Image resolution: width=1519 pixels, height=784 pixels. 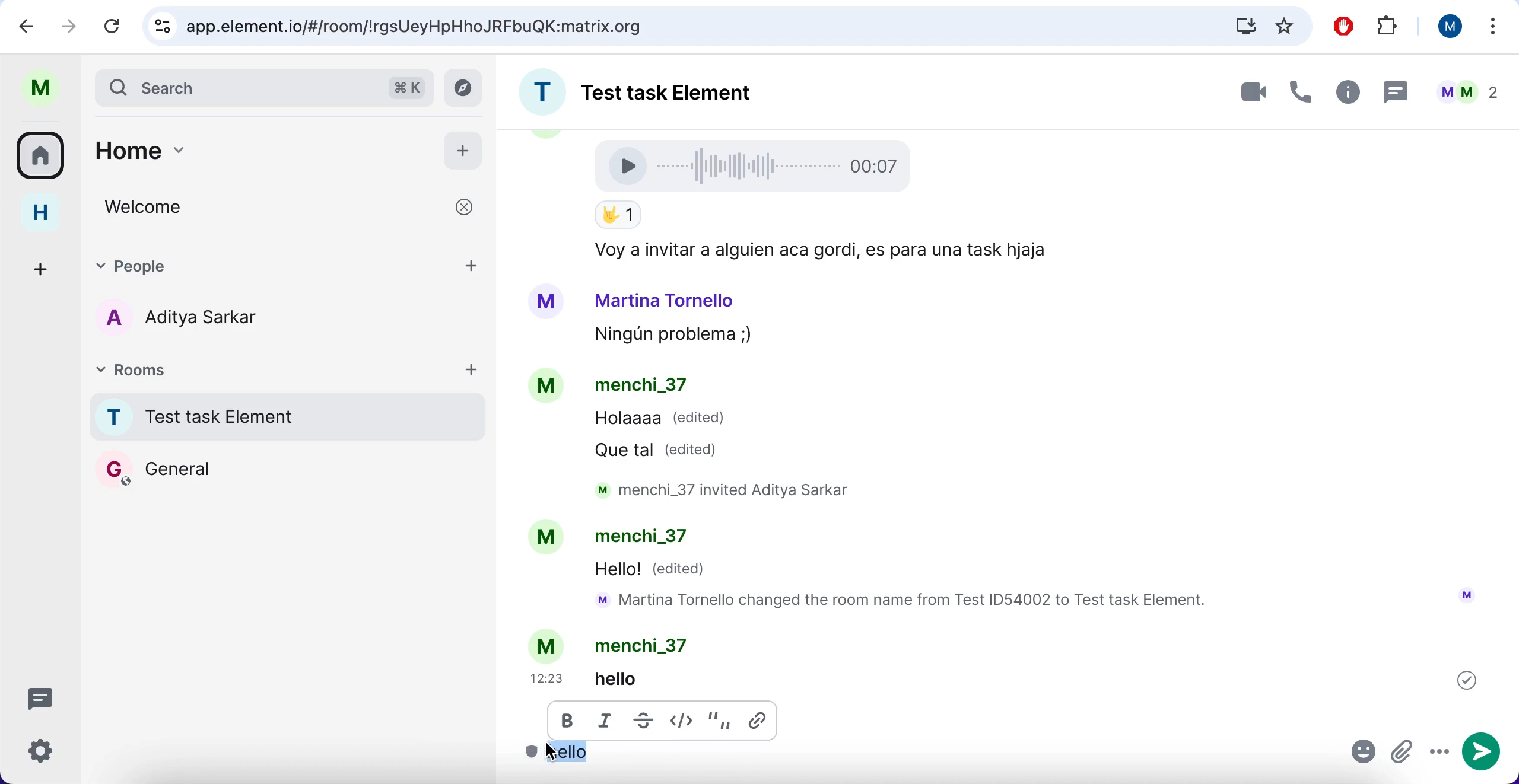 I want to click on Martina Tornello, so click(x=665, y=299).